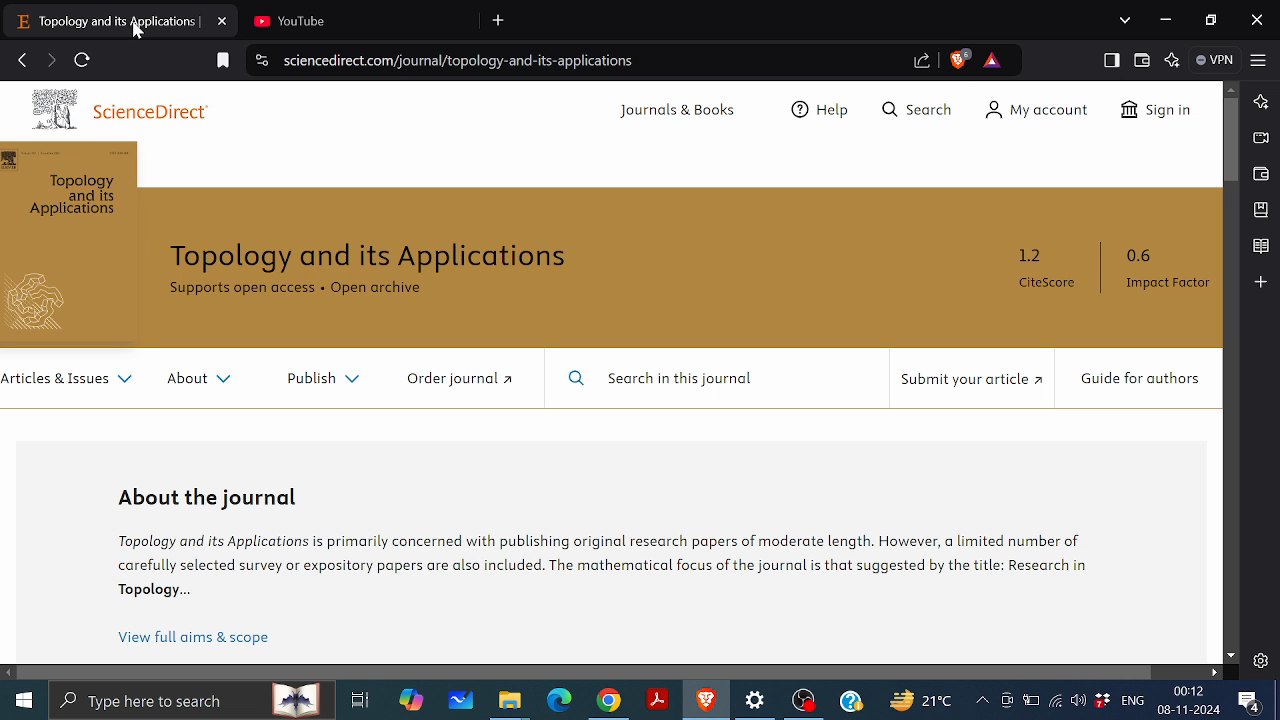 The image size is (1280, 720). What do you see at coordinates (1214, 21) in the screenshot?
I see `Restore down` at bounding box center [1214, 21].